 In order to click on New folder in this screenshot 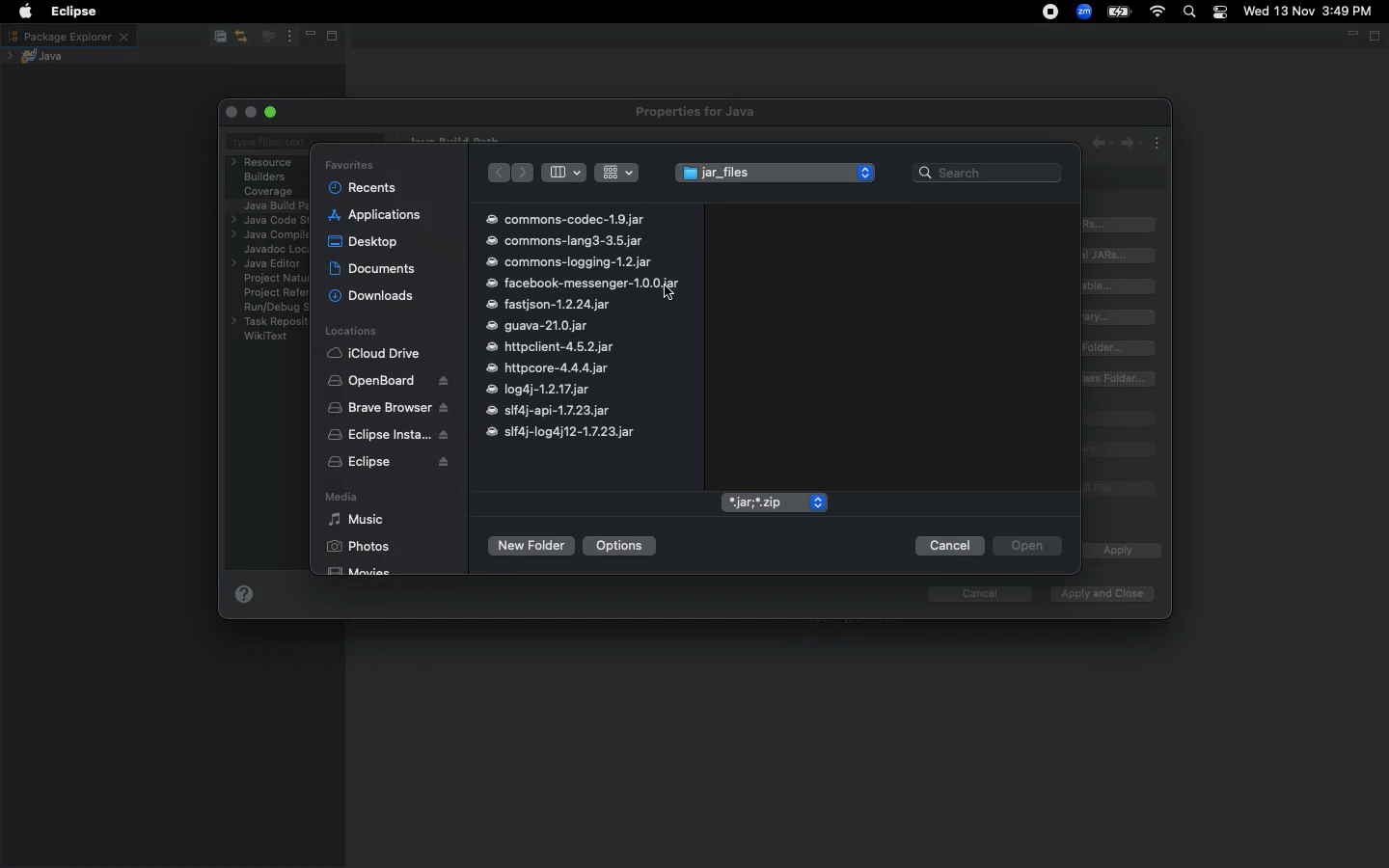, I will do `click(530, 546)`.